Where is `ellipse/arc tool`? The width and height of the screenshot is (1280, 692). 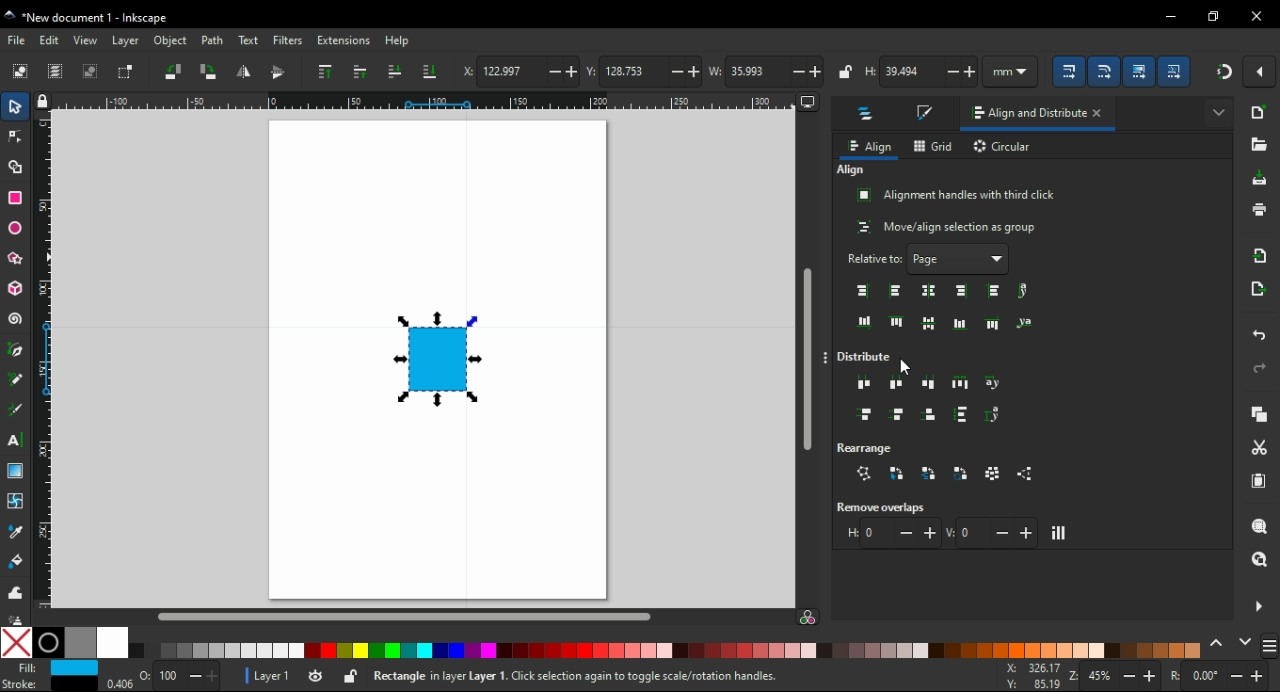 ellipse/arc tool is located at coordinates (16, 225).